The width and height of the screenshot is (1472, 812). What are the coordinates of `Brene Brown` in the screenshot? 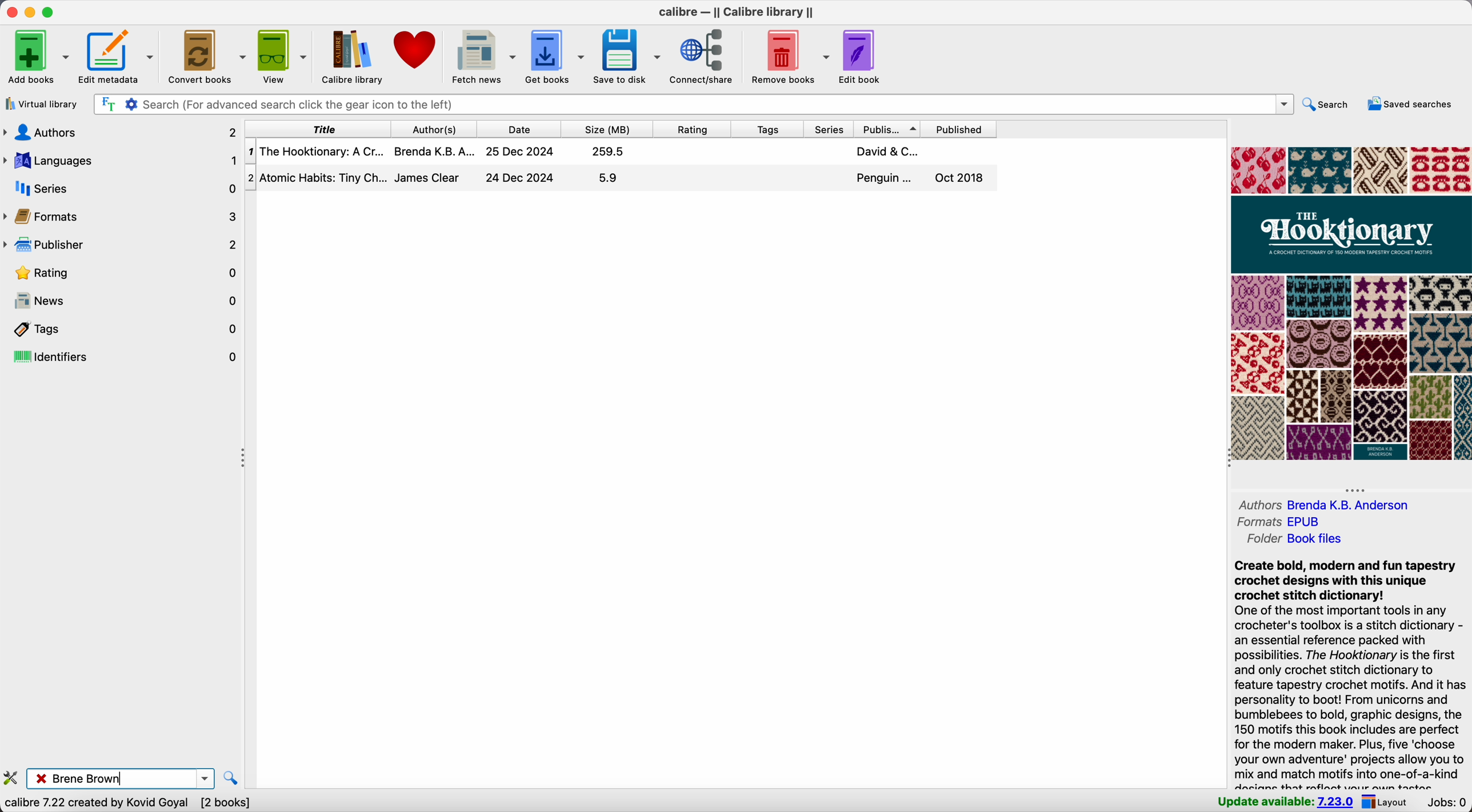 It's located at (122, 777).